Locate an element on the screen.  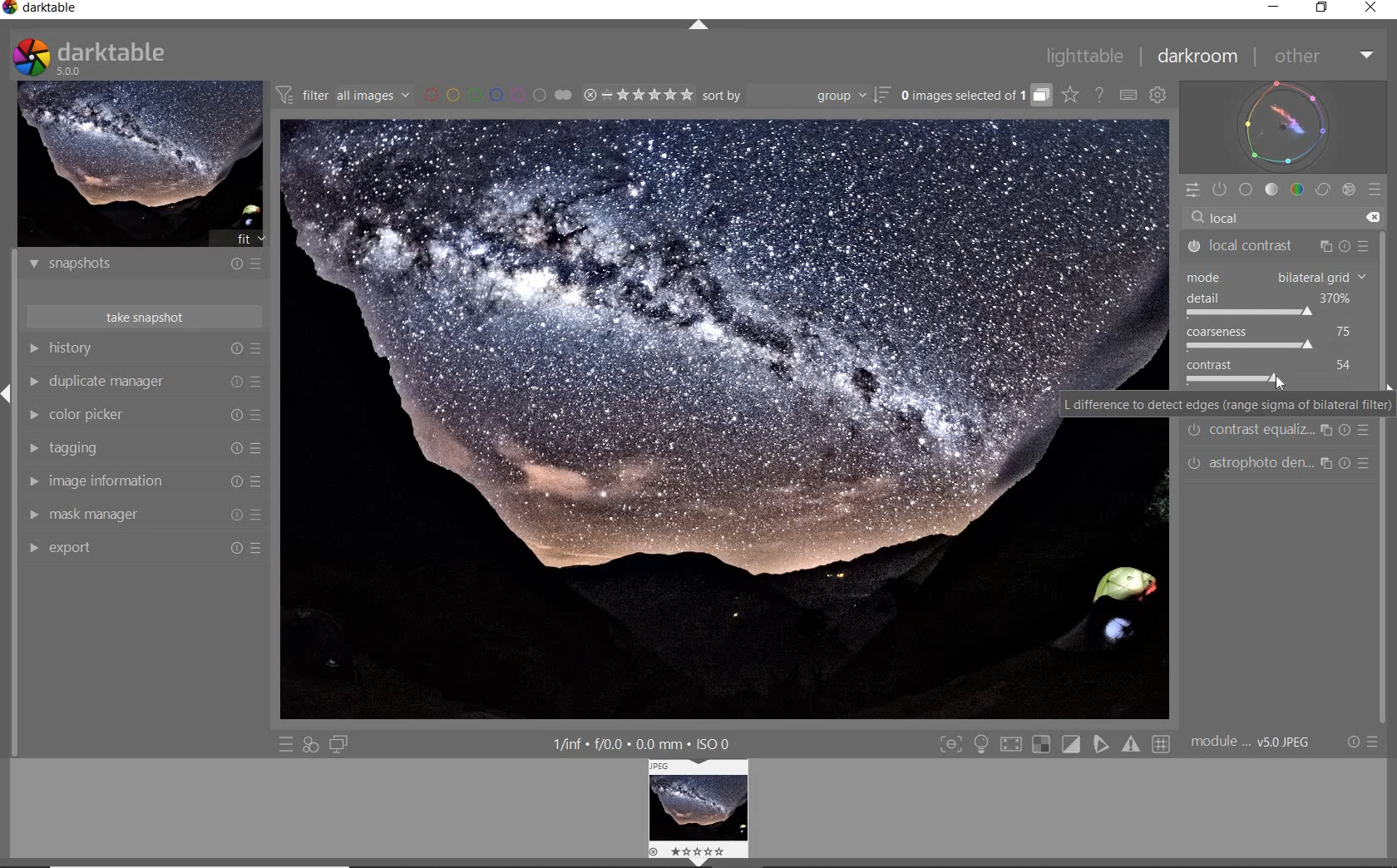
TAKE SNAPSHOTS is located at coordinates (146, 318).